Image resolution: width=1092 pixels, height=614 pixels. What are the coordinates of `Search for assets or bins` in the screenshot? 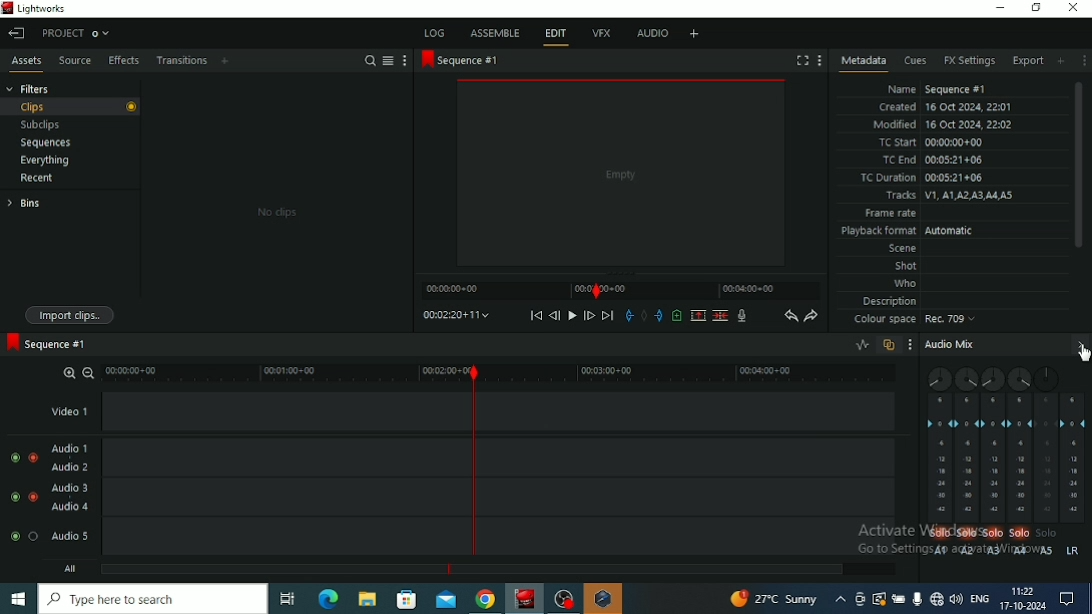 It's located at (369, 60).